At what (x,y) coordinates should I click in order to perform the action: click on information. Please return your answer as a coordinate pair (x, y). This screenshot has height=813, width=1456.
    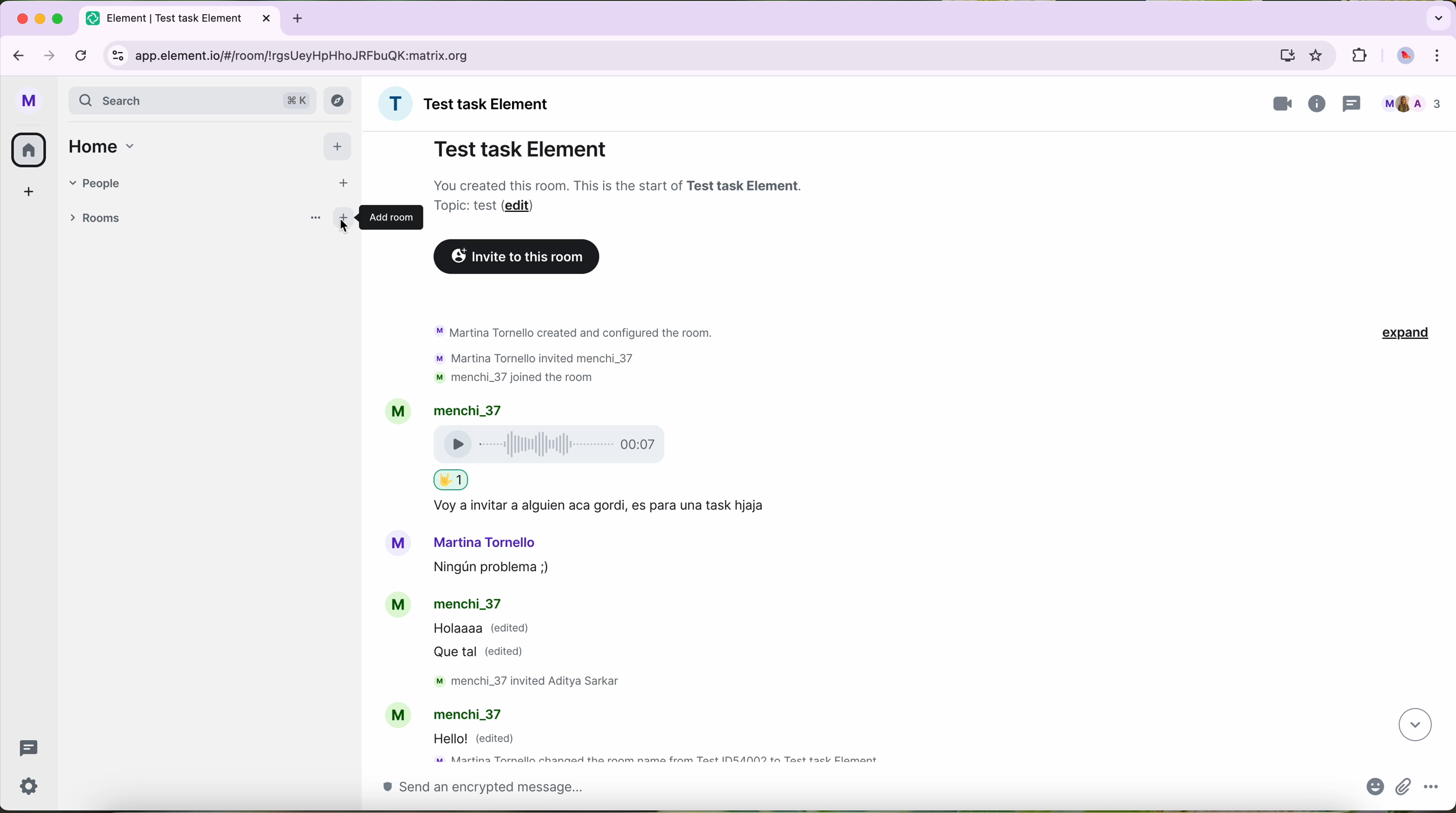
    Looking at the image, I should click on (1319, 105).